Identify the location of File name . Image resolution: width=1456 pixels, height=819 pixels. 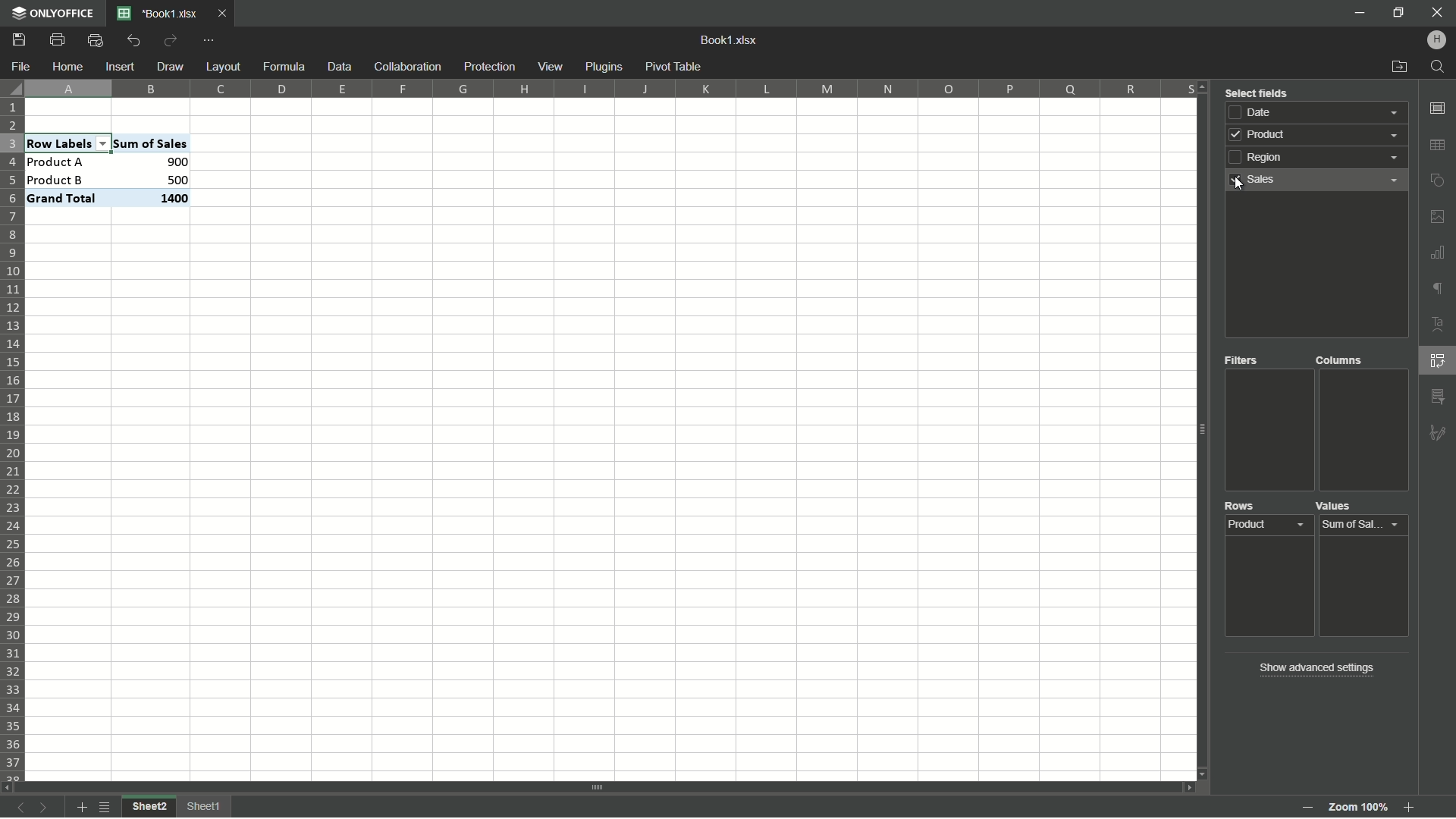
(159, 14).